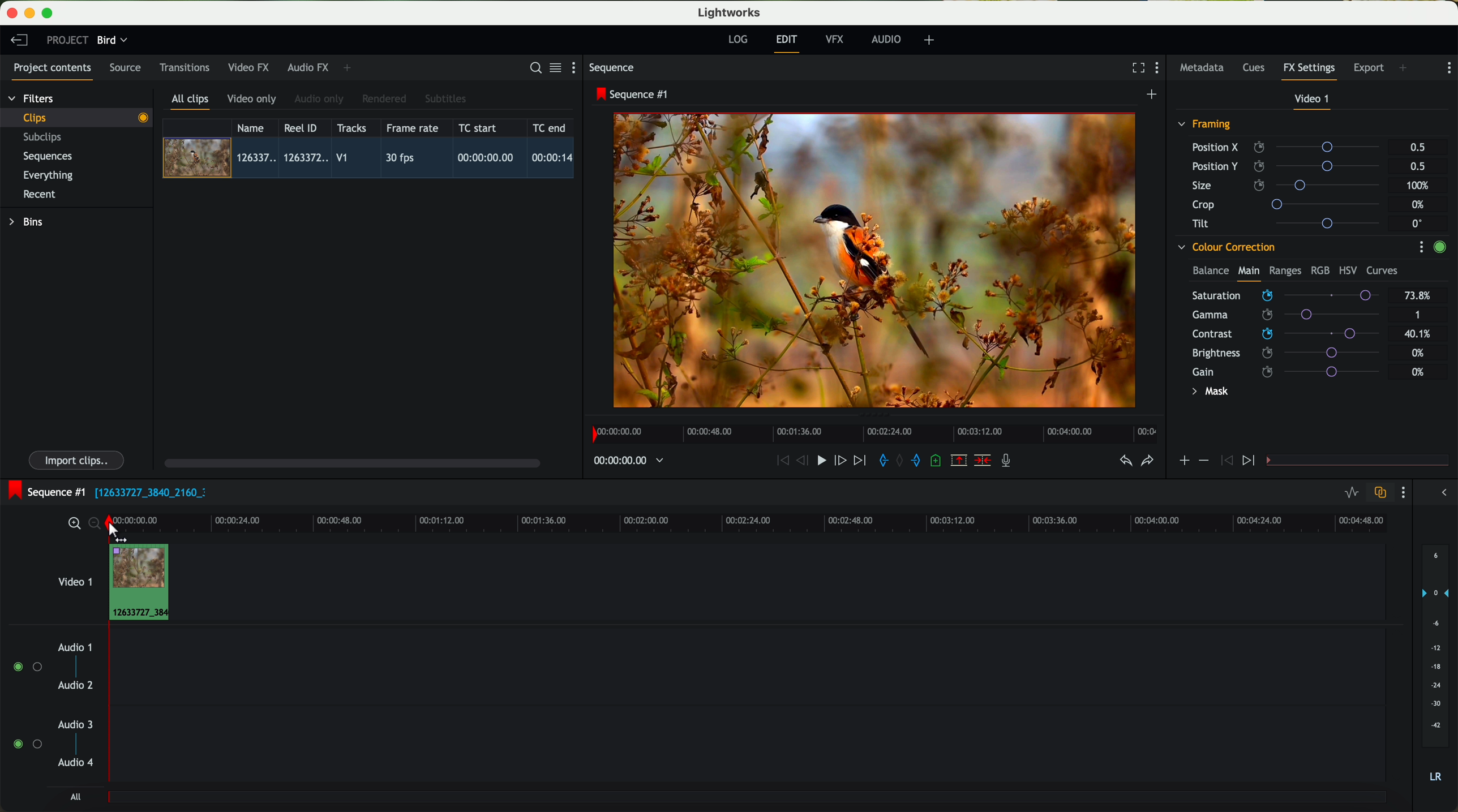 The image size is (1458, 812). What do you see at coordinates (1153, 95) in the screenshot?
I see `create a new sequence` at bounding box center [1153, 95].